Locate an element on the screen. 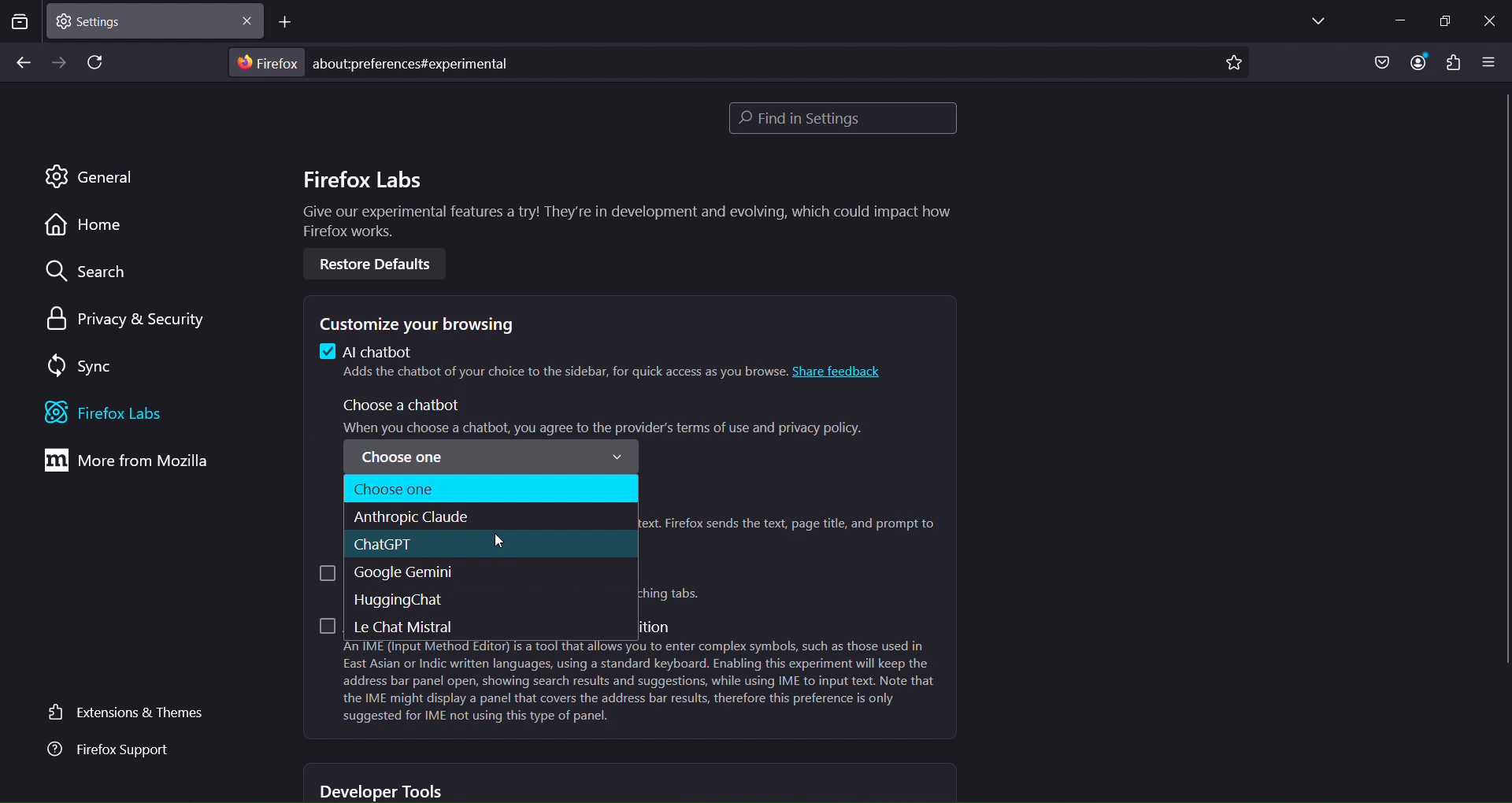 This screenshot has width=1512, height=803. Firefox is located at coordinates (266, 64).